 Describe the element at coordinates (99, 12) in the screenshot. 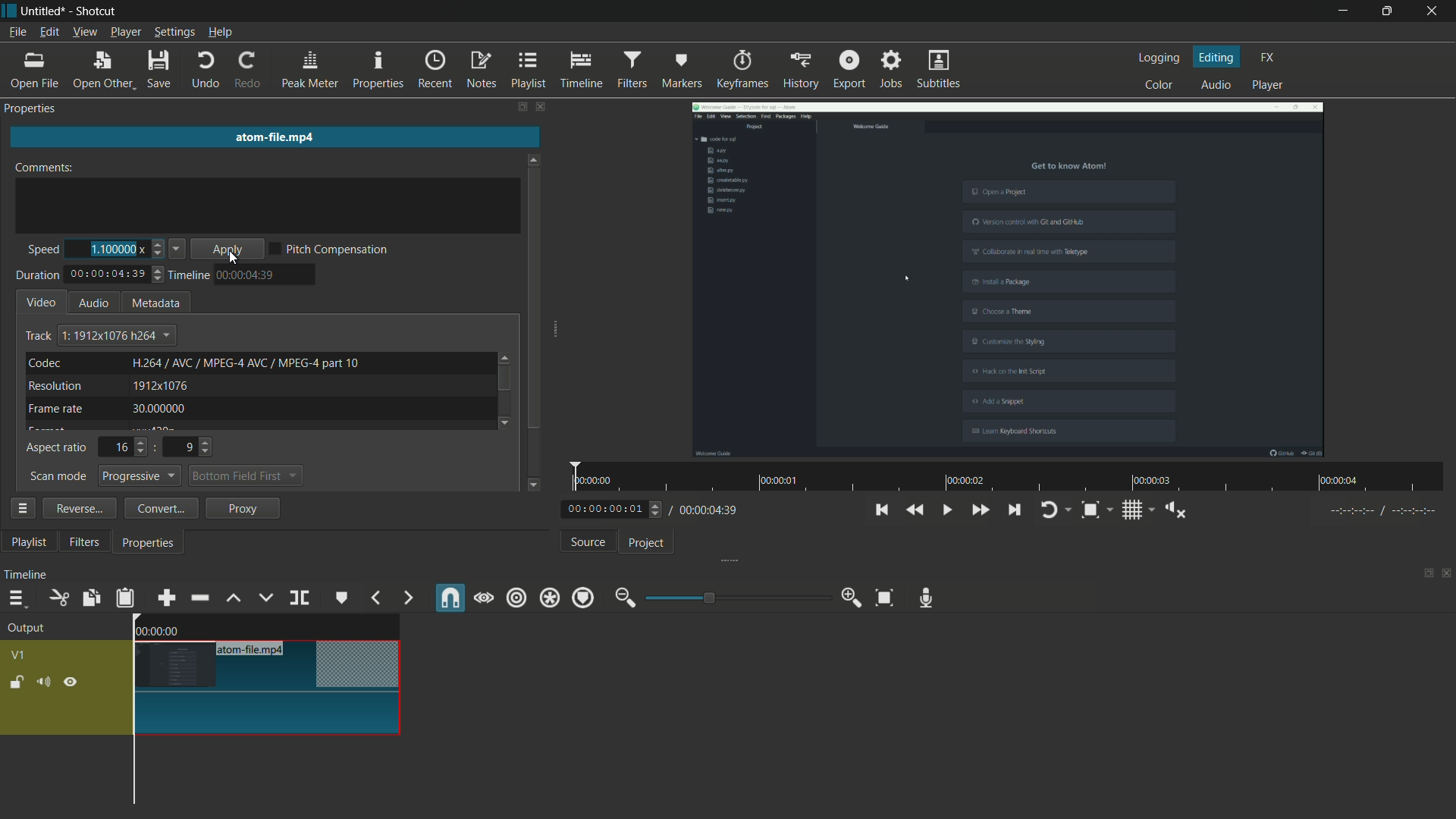

I see `app name` at that location.